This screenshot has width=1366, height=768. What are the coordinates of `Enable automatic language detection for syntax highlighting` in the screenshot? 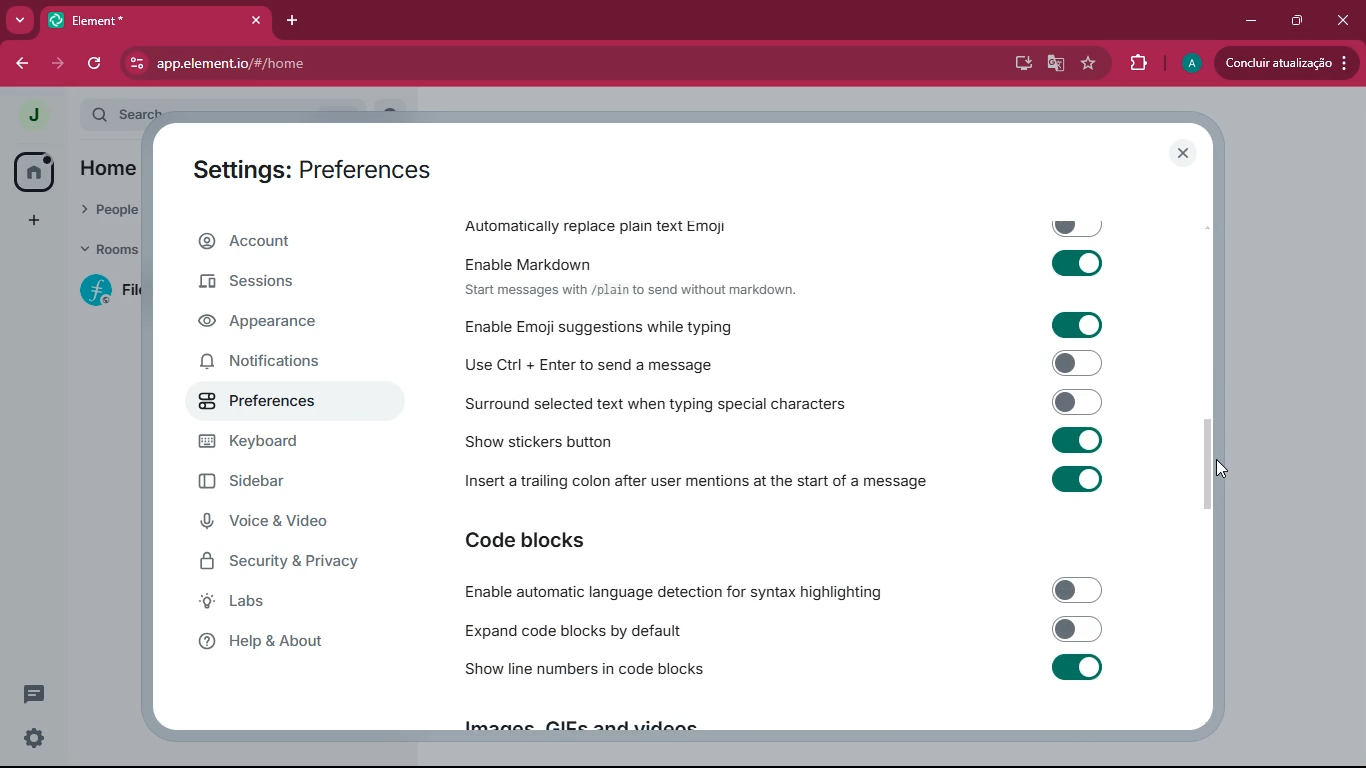 It's located at (782, 592).